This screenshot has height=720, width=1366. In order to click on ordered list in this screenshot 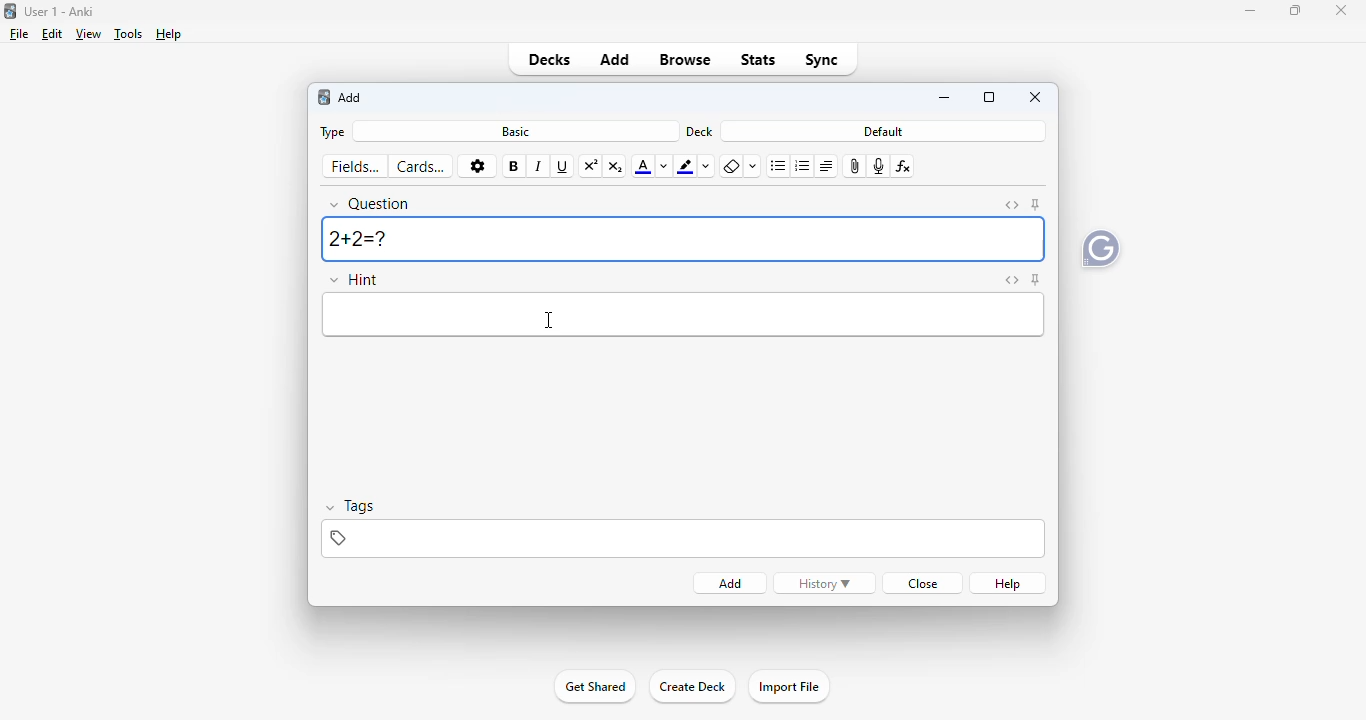, I will do `click(803, 166)`.